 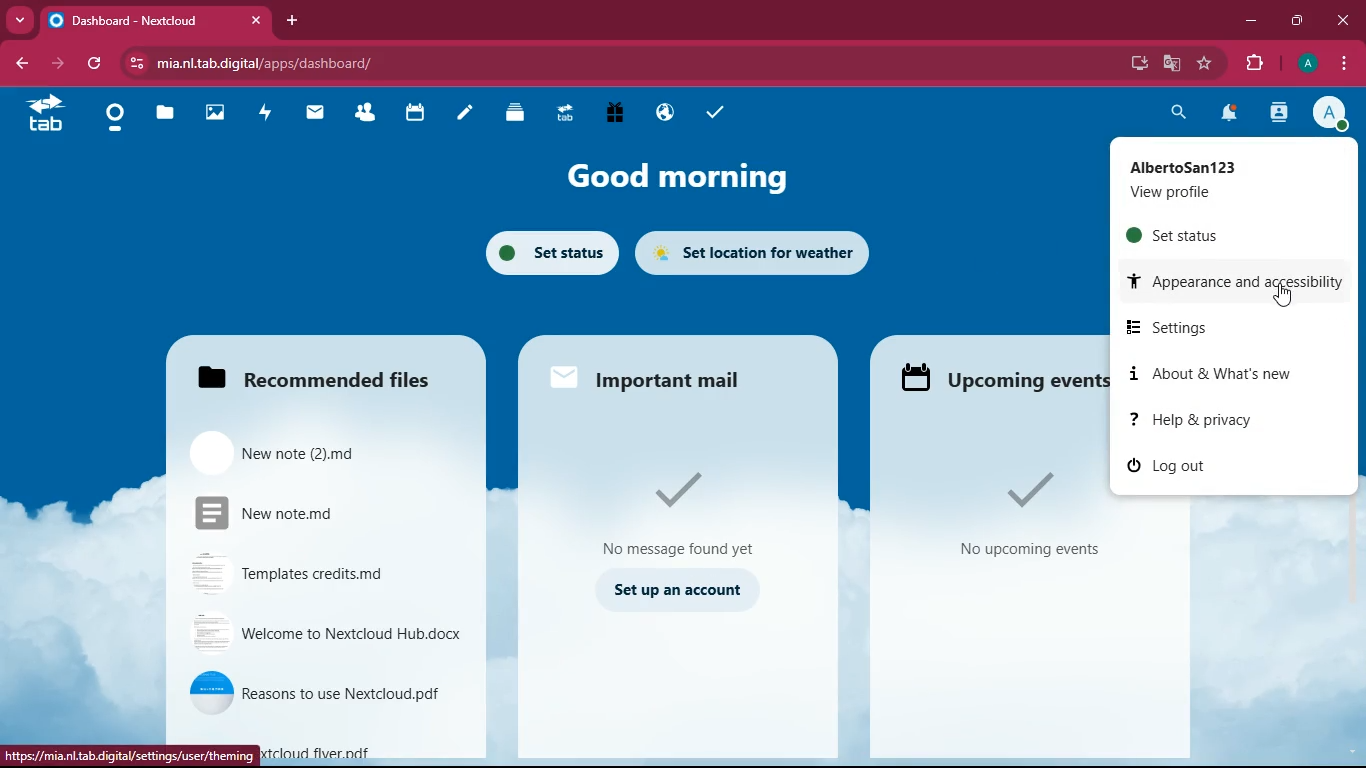 What do you see at coordinates (1025, 518) in the screenshot?
I see `no upcoming events` at bounding box center [1025, 518].